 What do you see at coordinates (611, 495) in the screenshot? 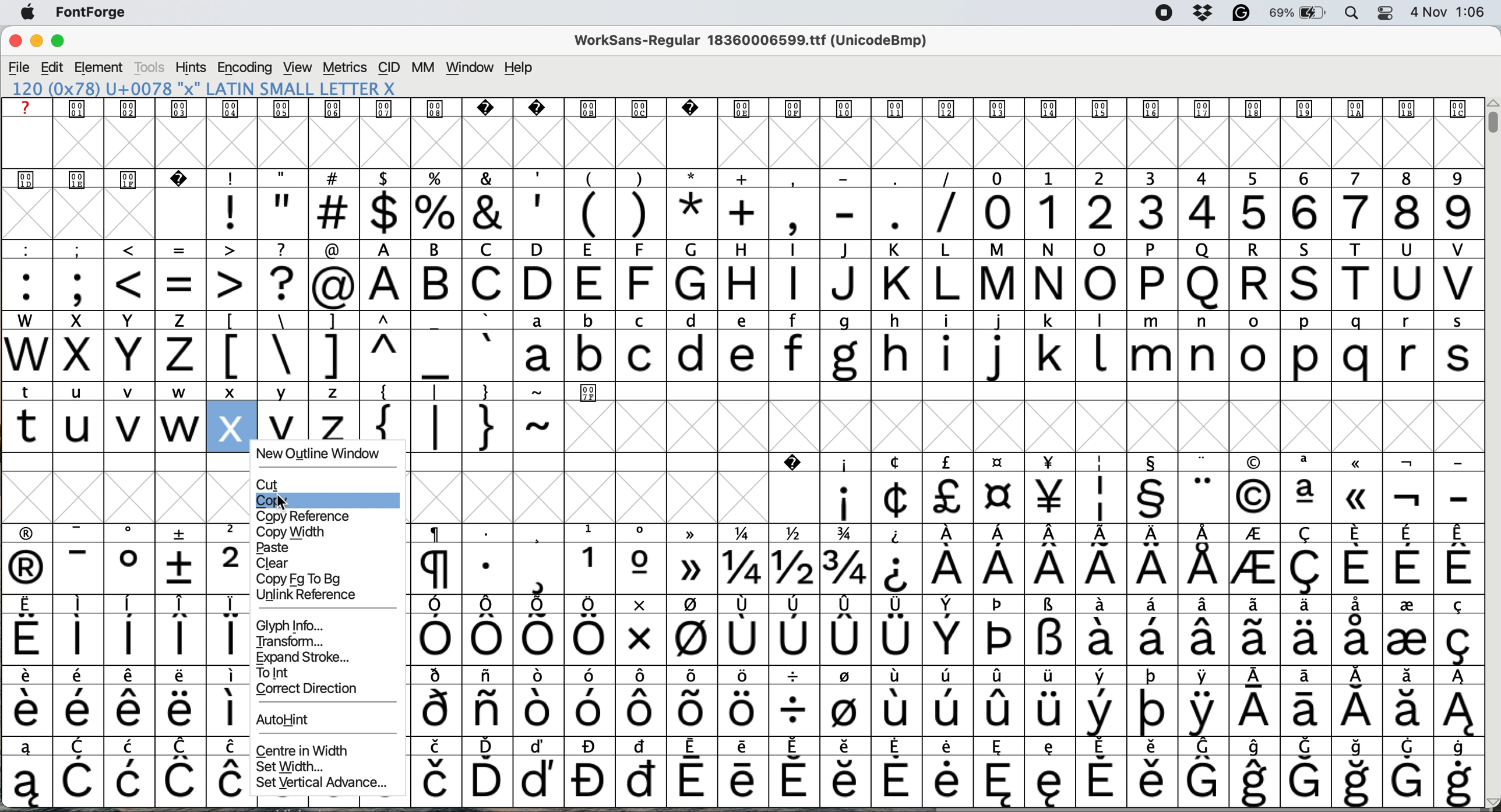
I see `glyph grid` at bounding box center [611, 495].